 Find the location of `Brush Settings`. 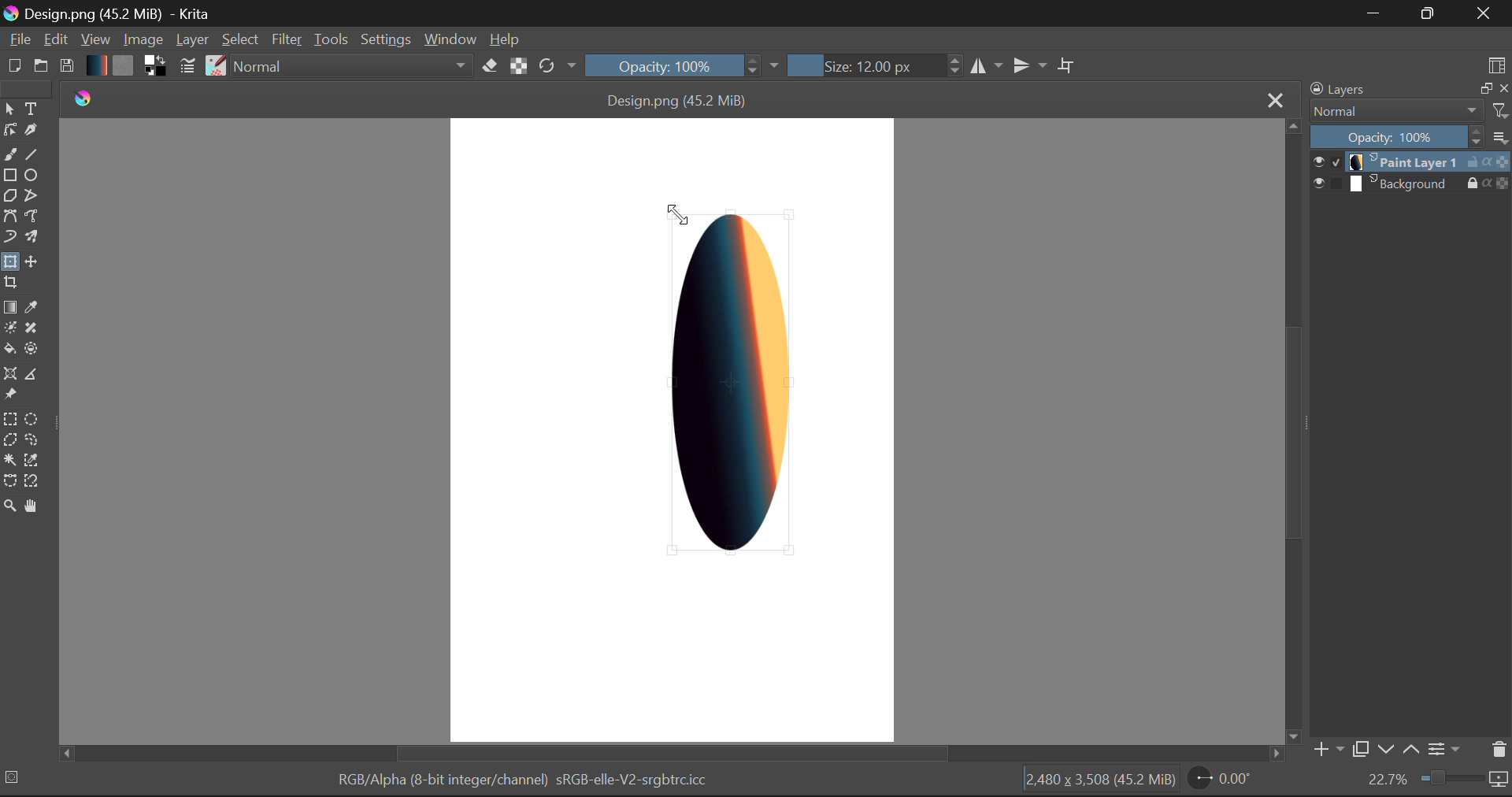

Brush Settings is located at coordinates (189, 67).